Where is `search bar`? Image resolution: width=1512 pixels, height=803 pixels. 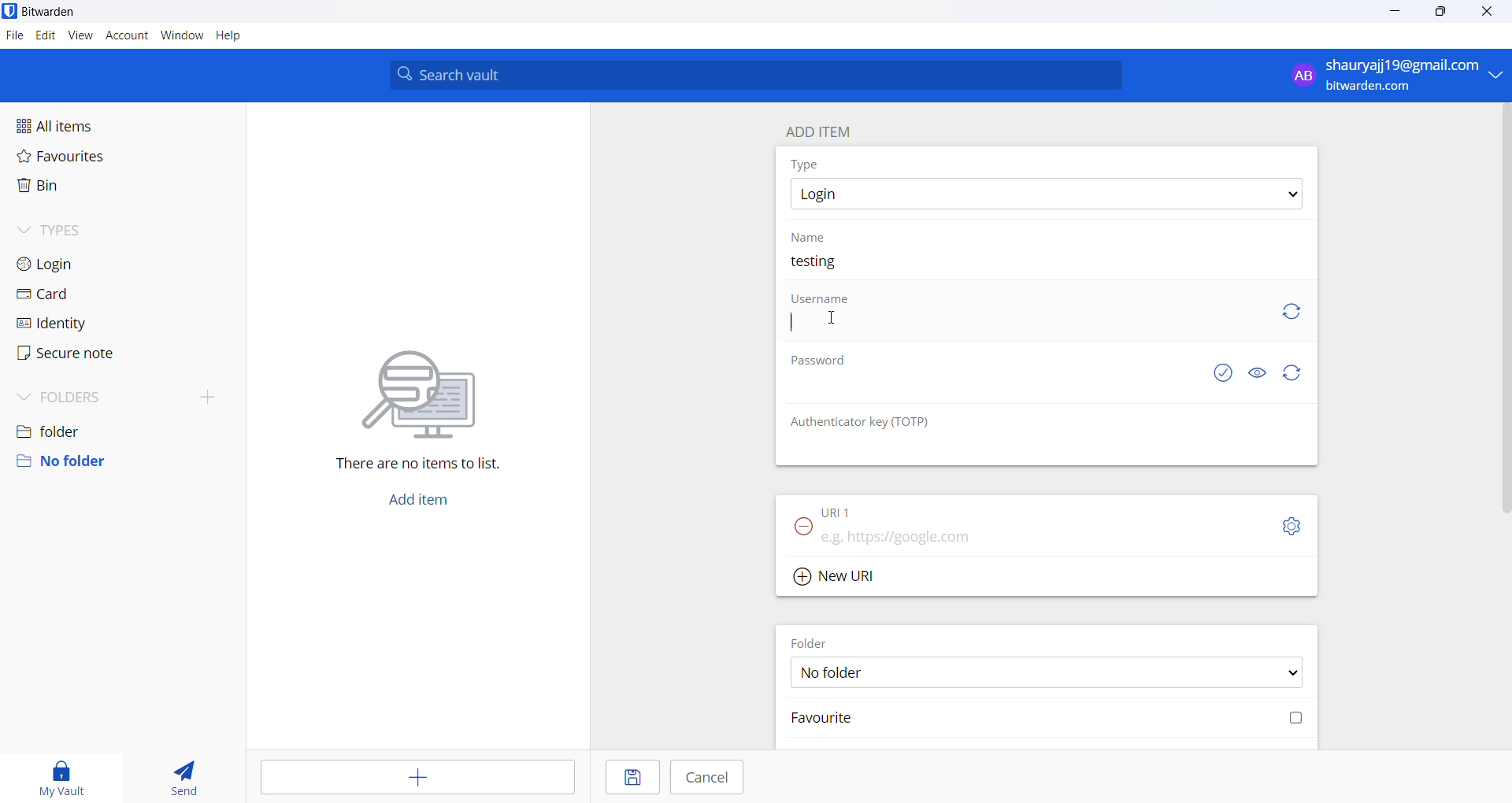 search bar is located at coordinates (755, 74).